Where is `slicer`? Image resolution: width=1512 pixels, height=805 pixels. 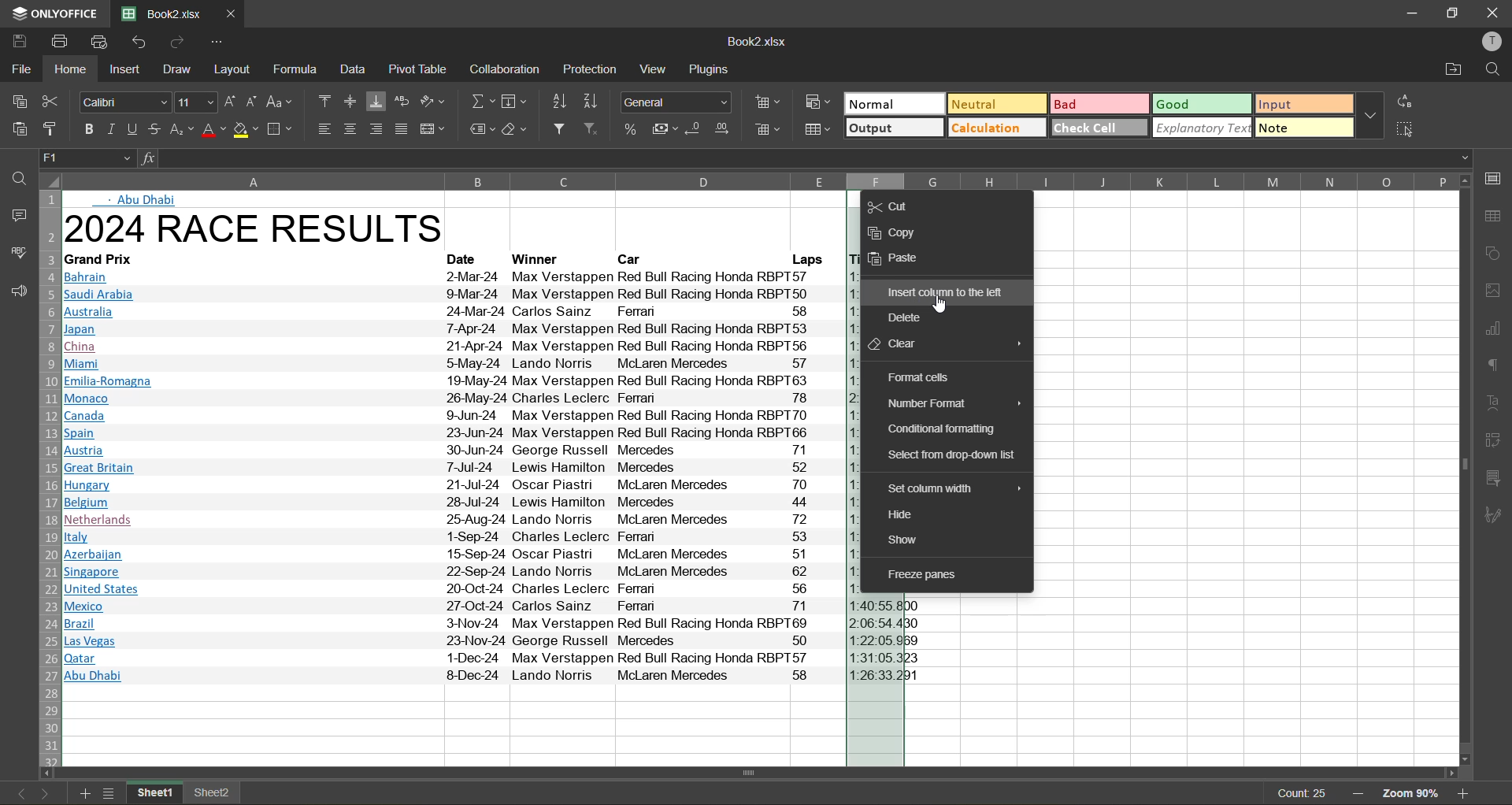 slicer is located at coordinates (1498, 480).